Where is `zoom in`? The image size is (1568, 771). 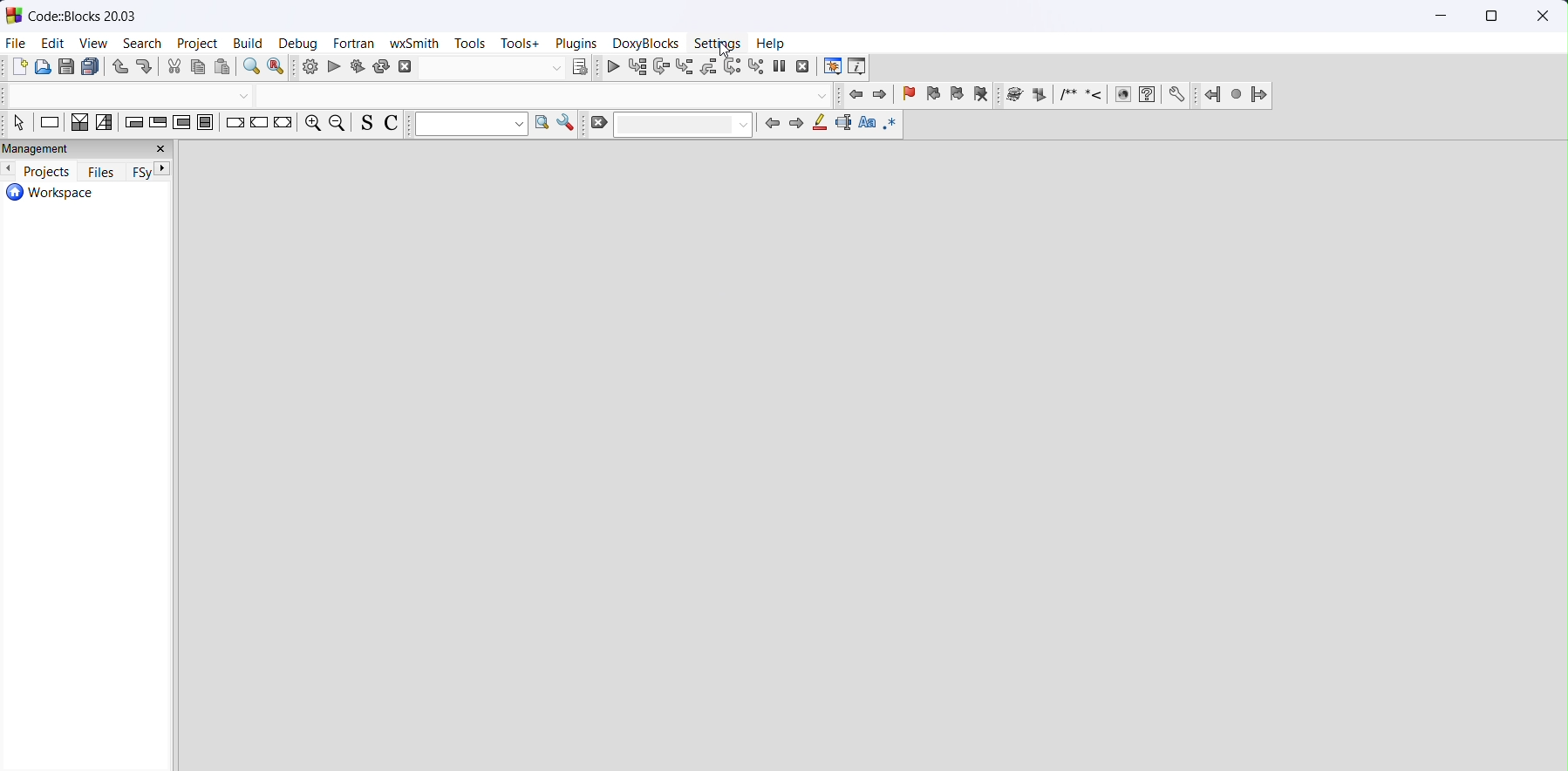 zoom in is located at coordinates (312, 124).